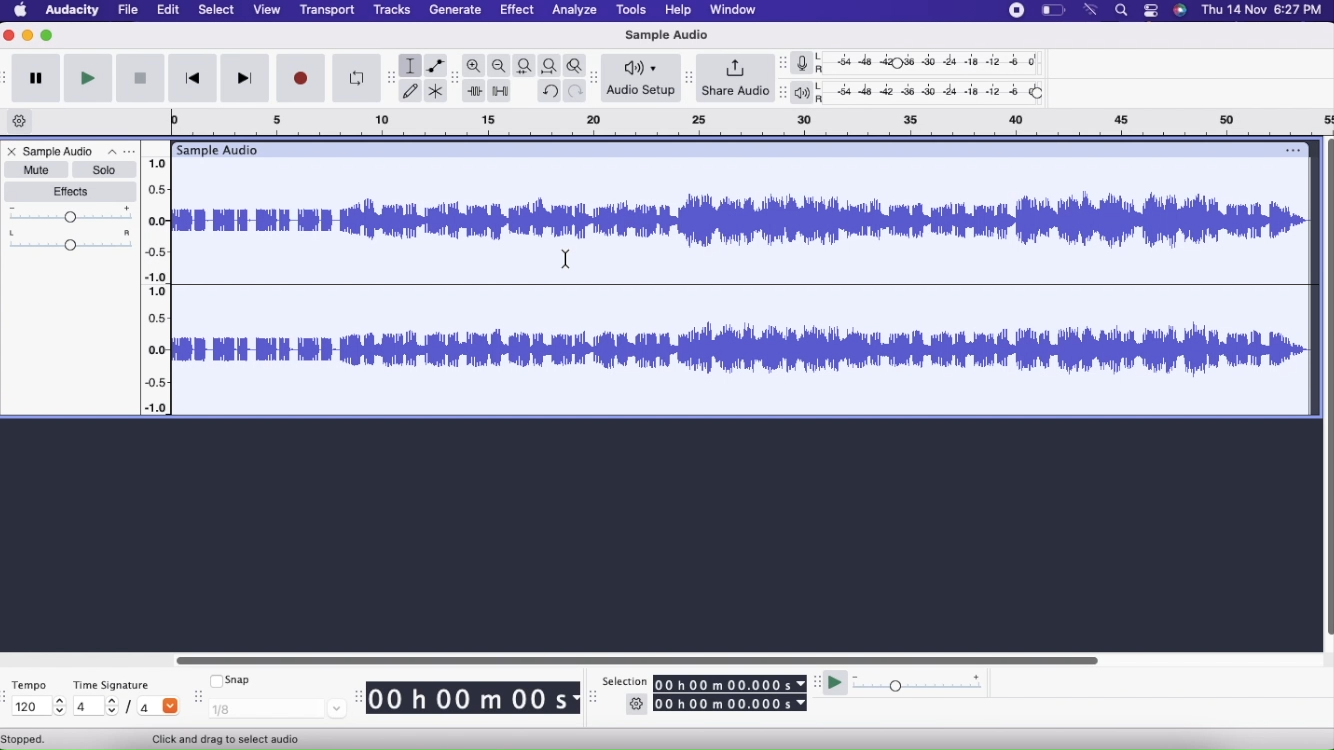 Image resolution: width=1334 pixels, height=750 pixels. I want to click on Slider, so click(1326, 384).